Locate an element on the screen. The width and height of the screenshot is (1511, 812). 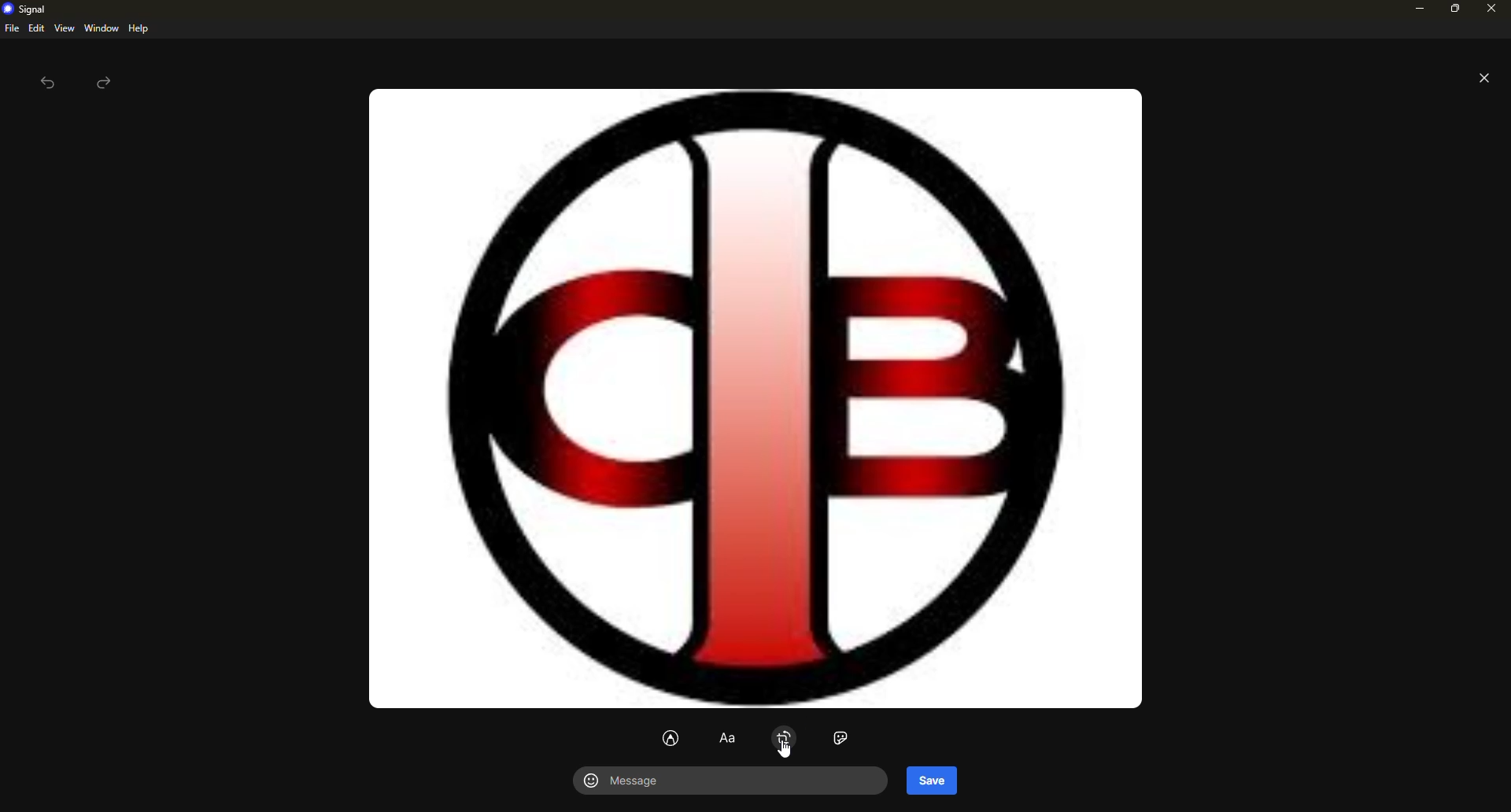
cursor is located at coordinates (1003, 742).